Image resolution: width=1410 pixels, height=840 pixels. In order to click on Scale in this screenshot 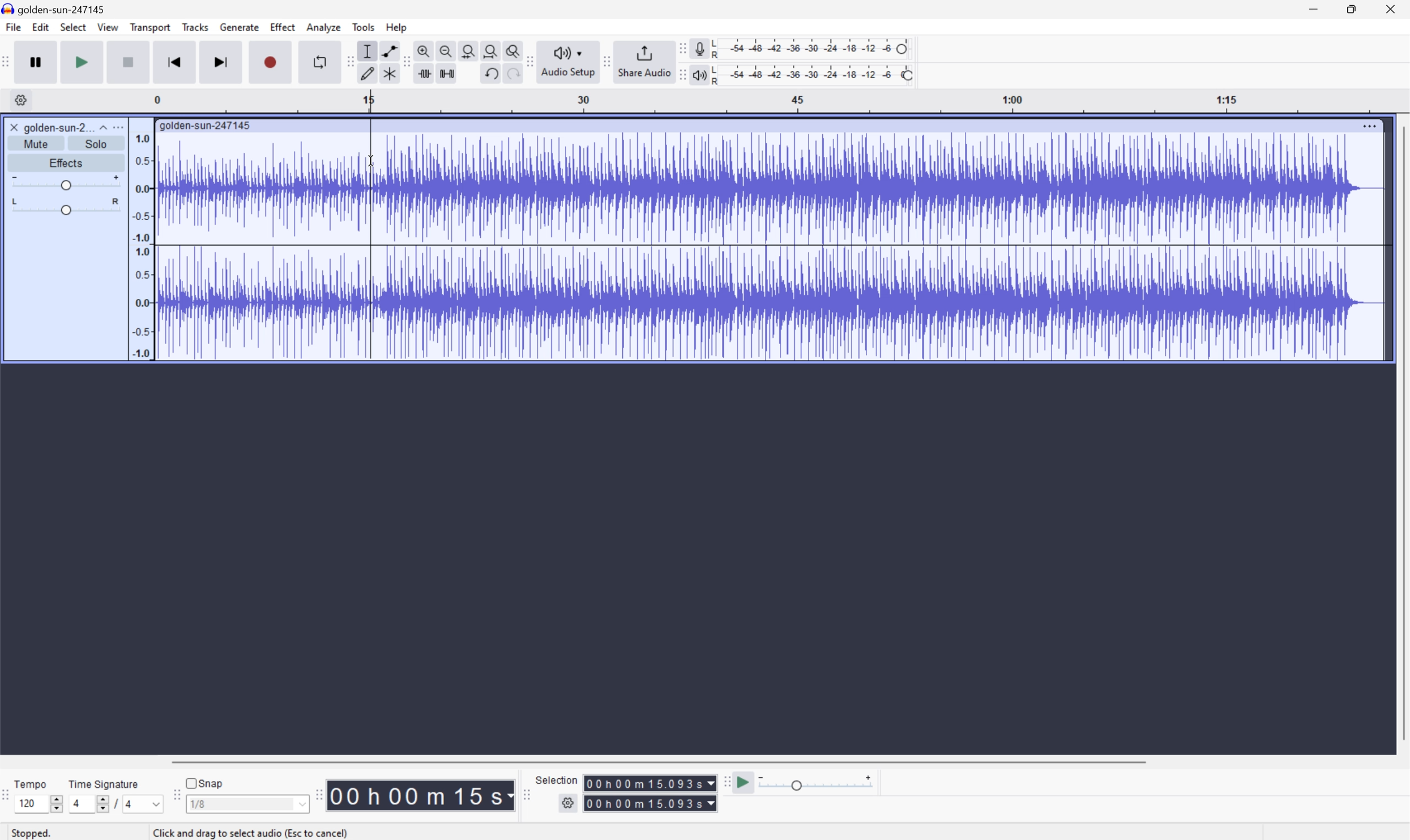, I will do `click(782, 101)`.